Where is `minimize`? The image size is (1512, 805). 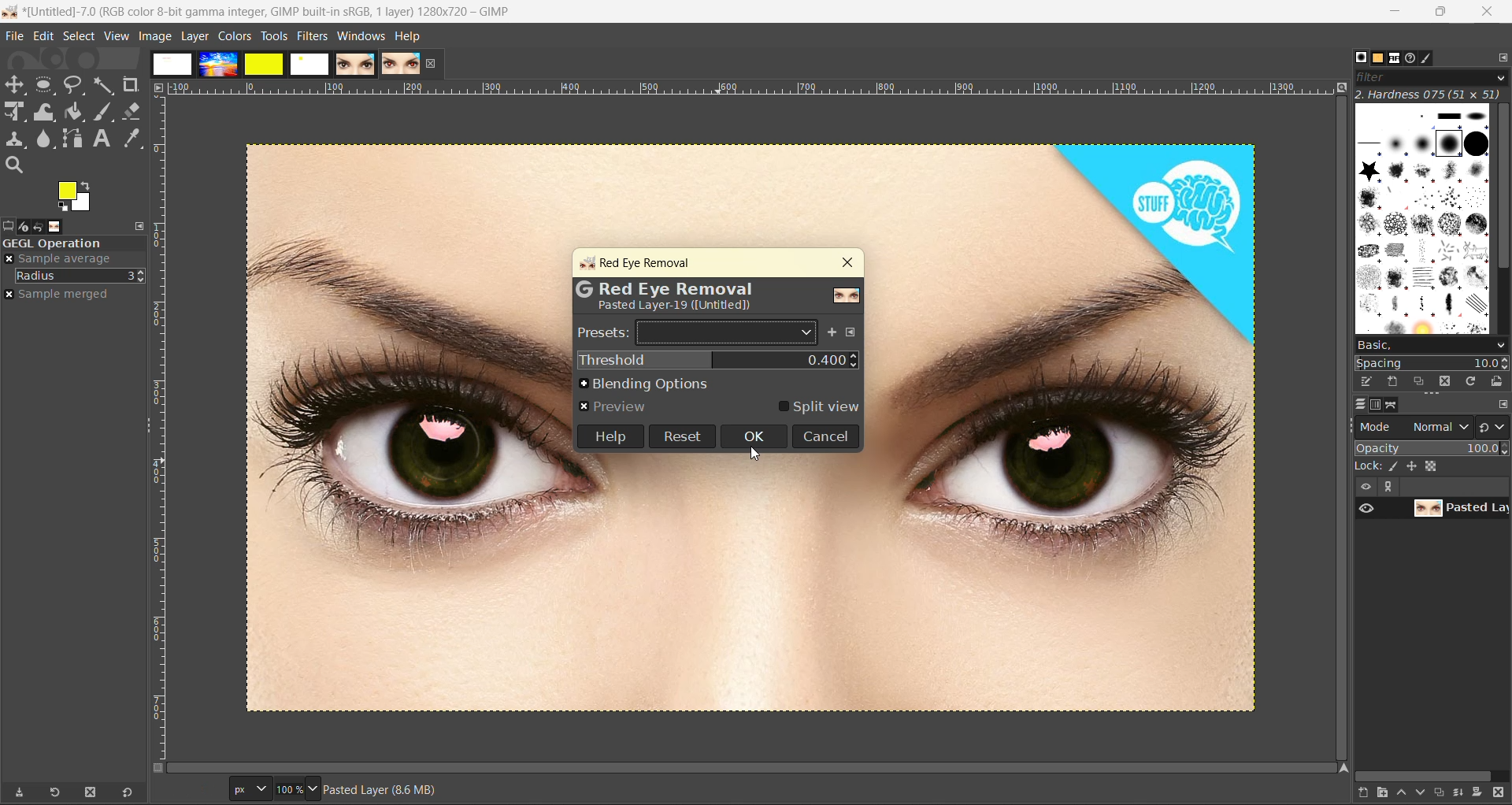
minimize is located at coordinates (1392, 13).